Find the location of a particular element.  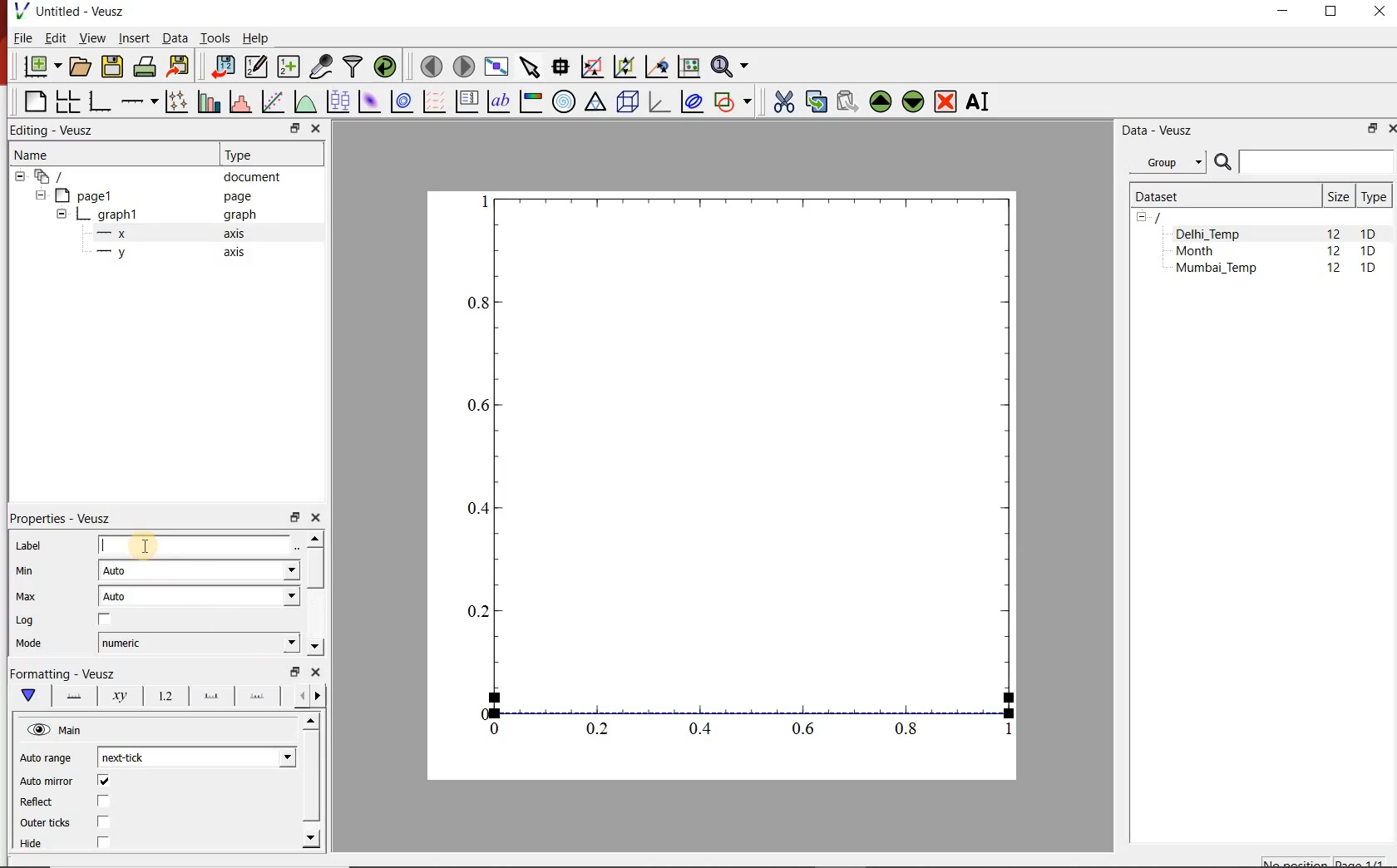

add a shape to the plot is located at coordinates (733, 103).